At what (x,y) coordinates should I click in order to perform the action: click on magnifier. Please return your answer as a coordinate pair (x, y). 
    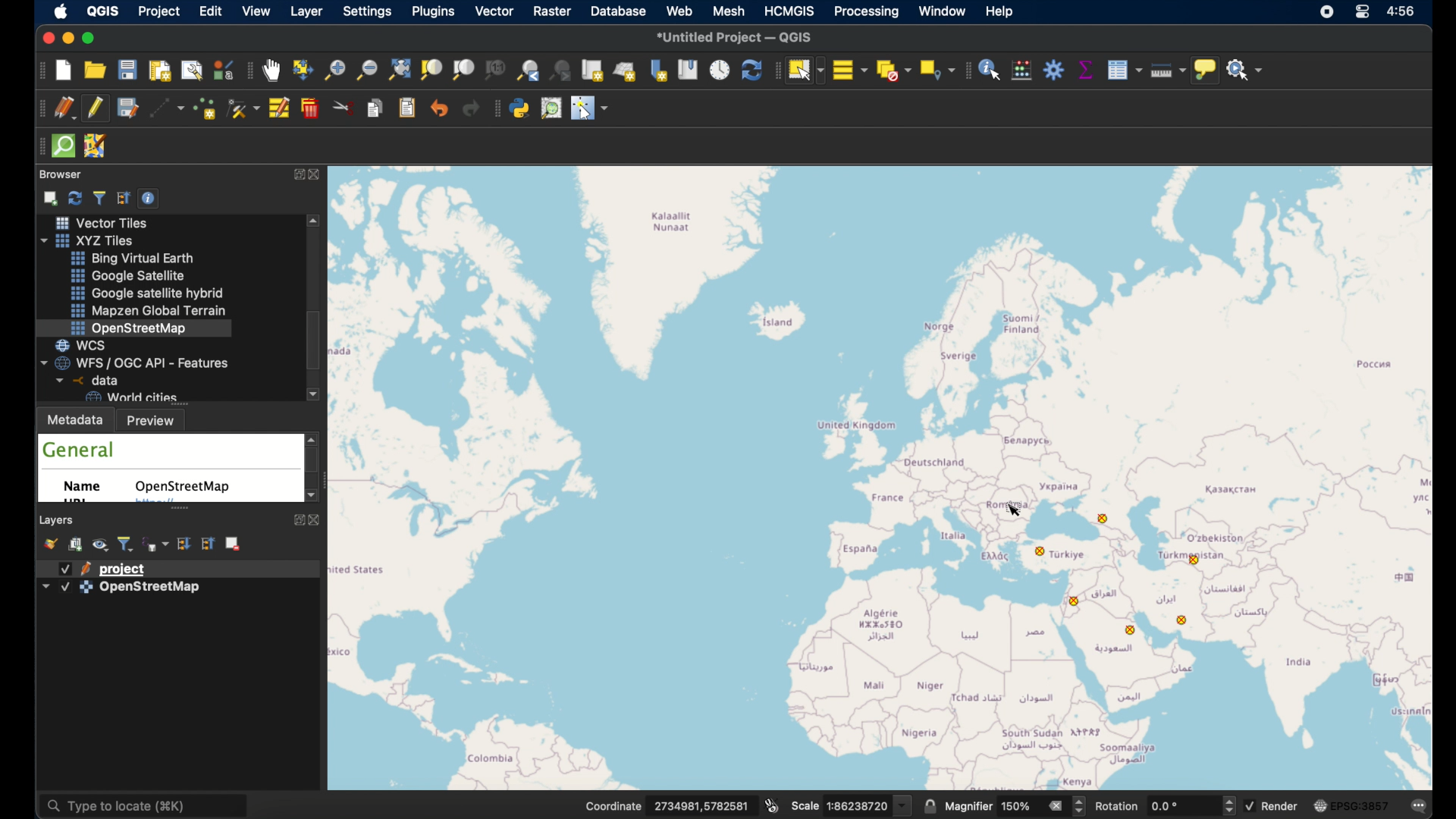
    Looking at the image, I should click on (968, 806).